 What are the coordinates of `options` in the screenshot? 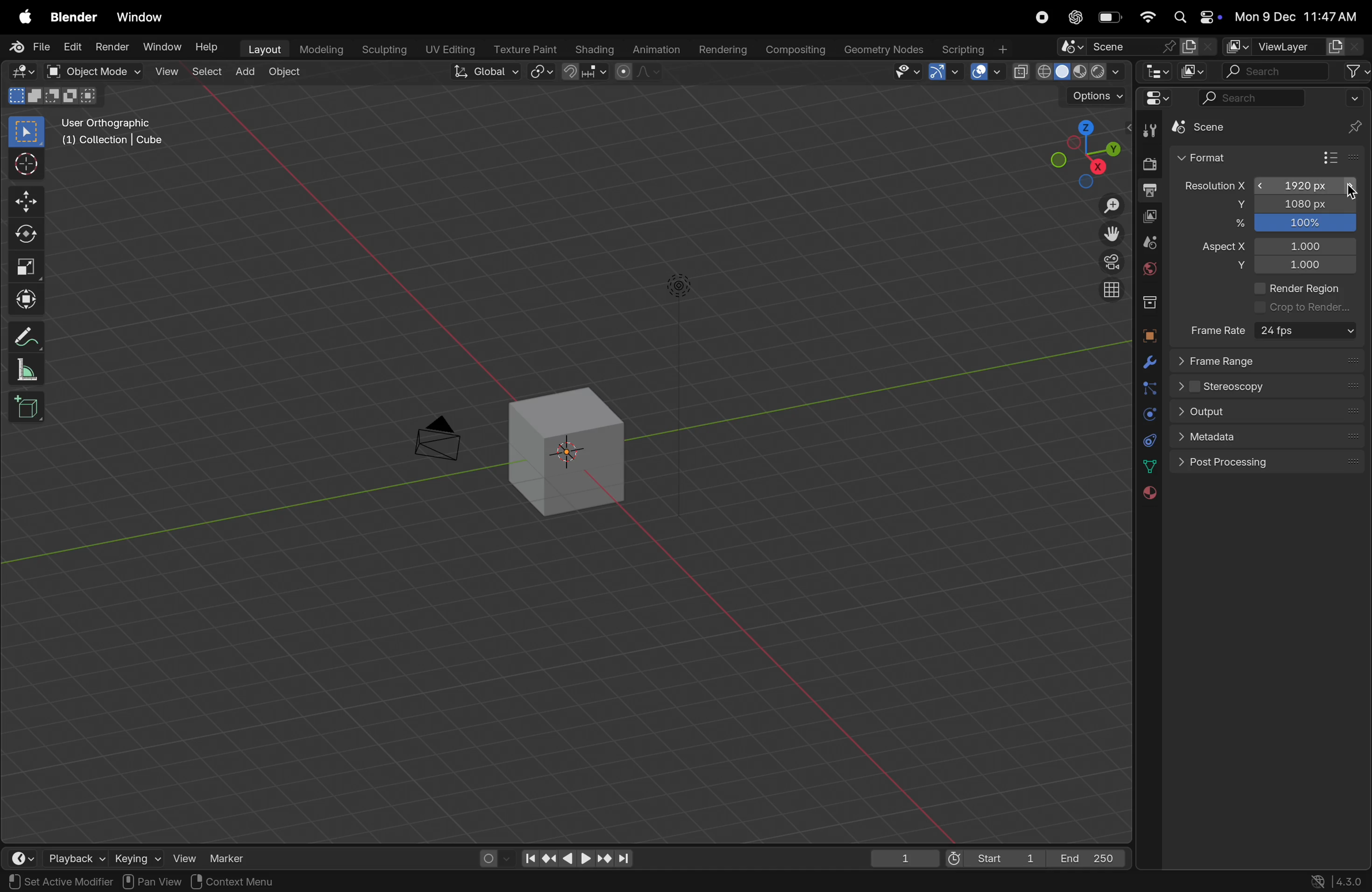 It's located at (1090, 95).